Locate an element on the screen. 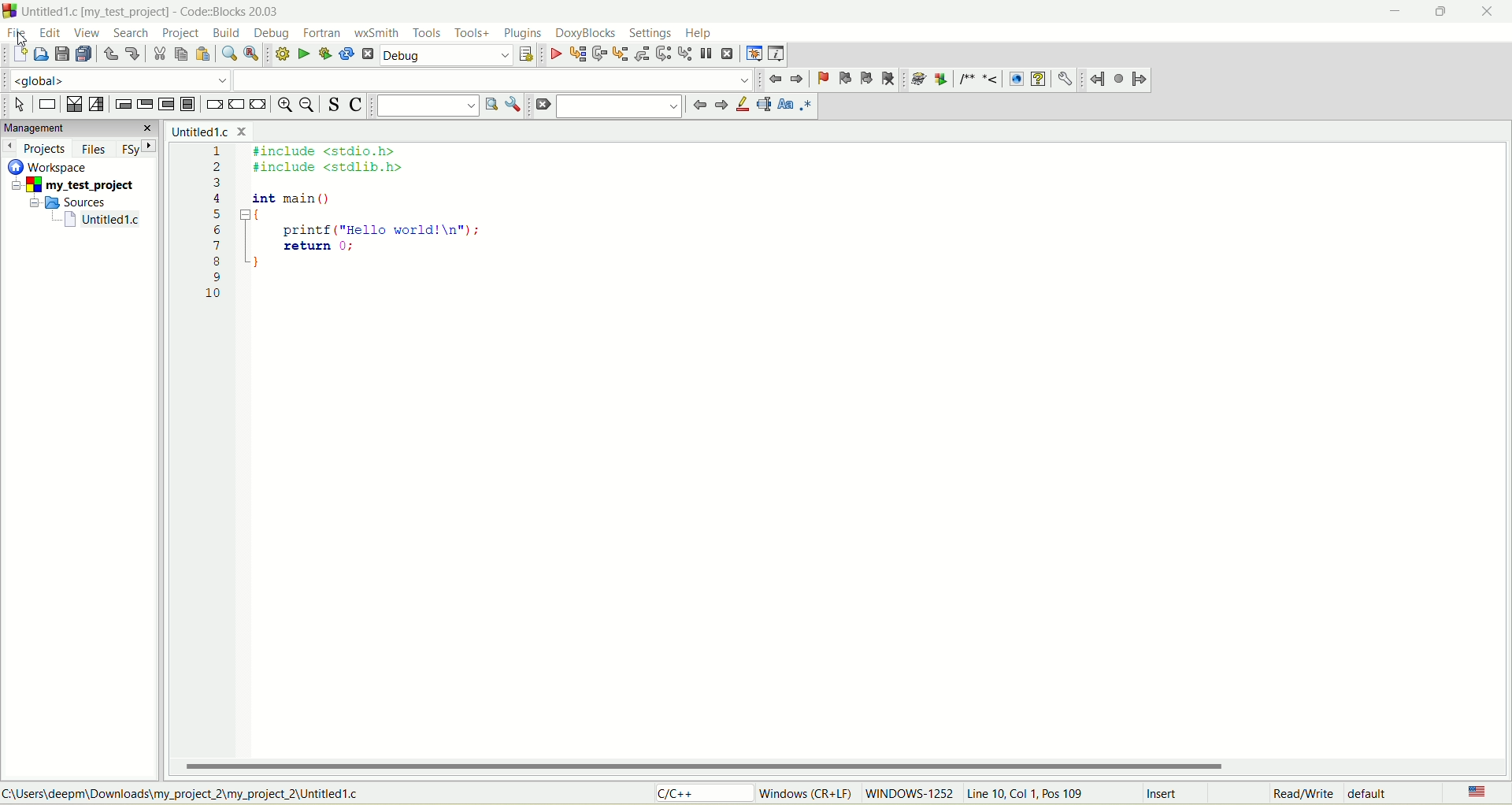 This screenshot has width=1512, height=805. zoom in is located at coordinates (283, 106).